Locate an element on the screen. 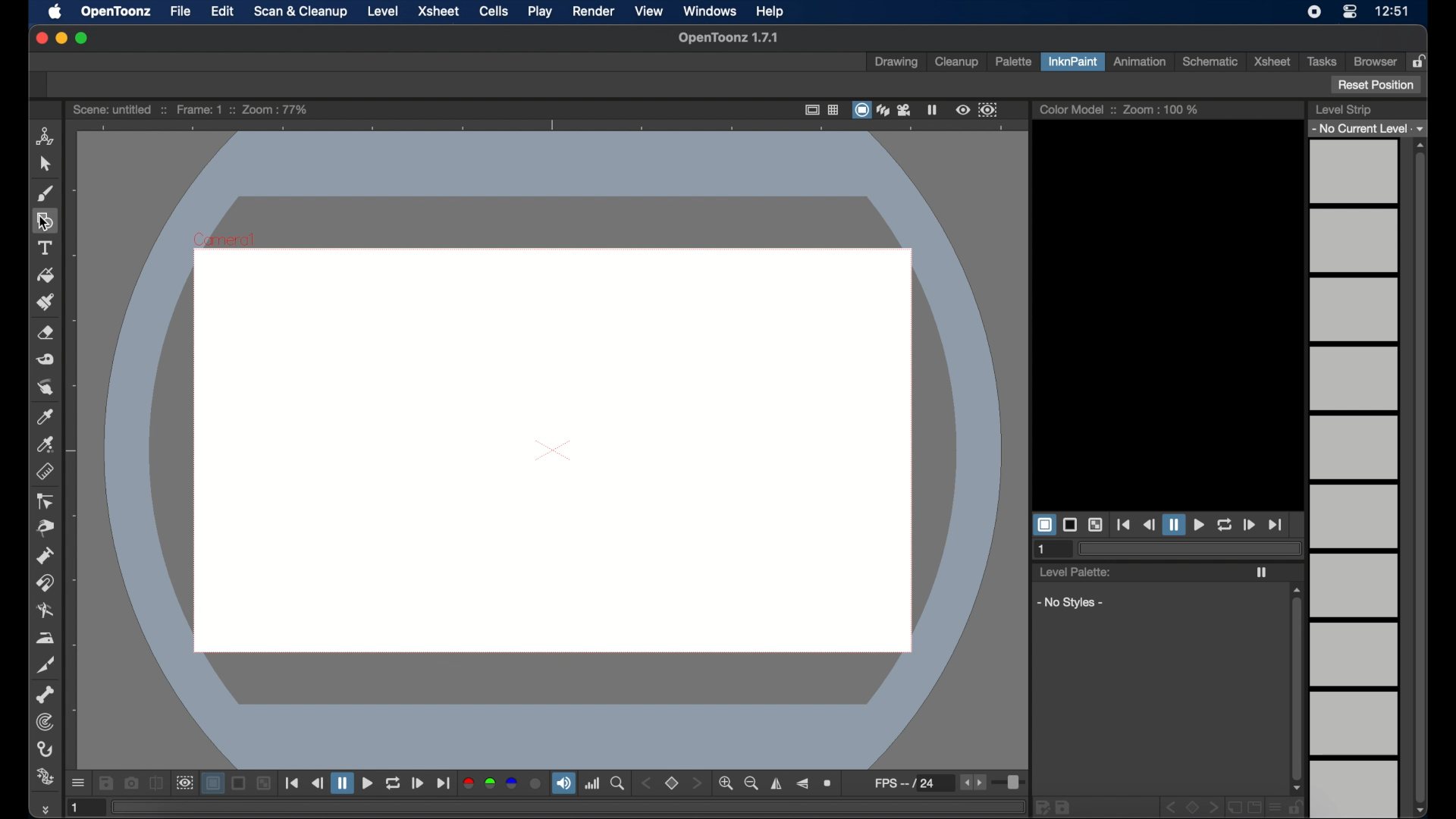 The image size is (1456, 819). zoom : 100% is located at coordinates (1161, 109).